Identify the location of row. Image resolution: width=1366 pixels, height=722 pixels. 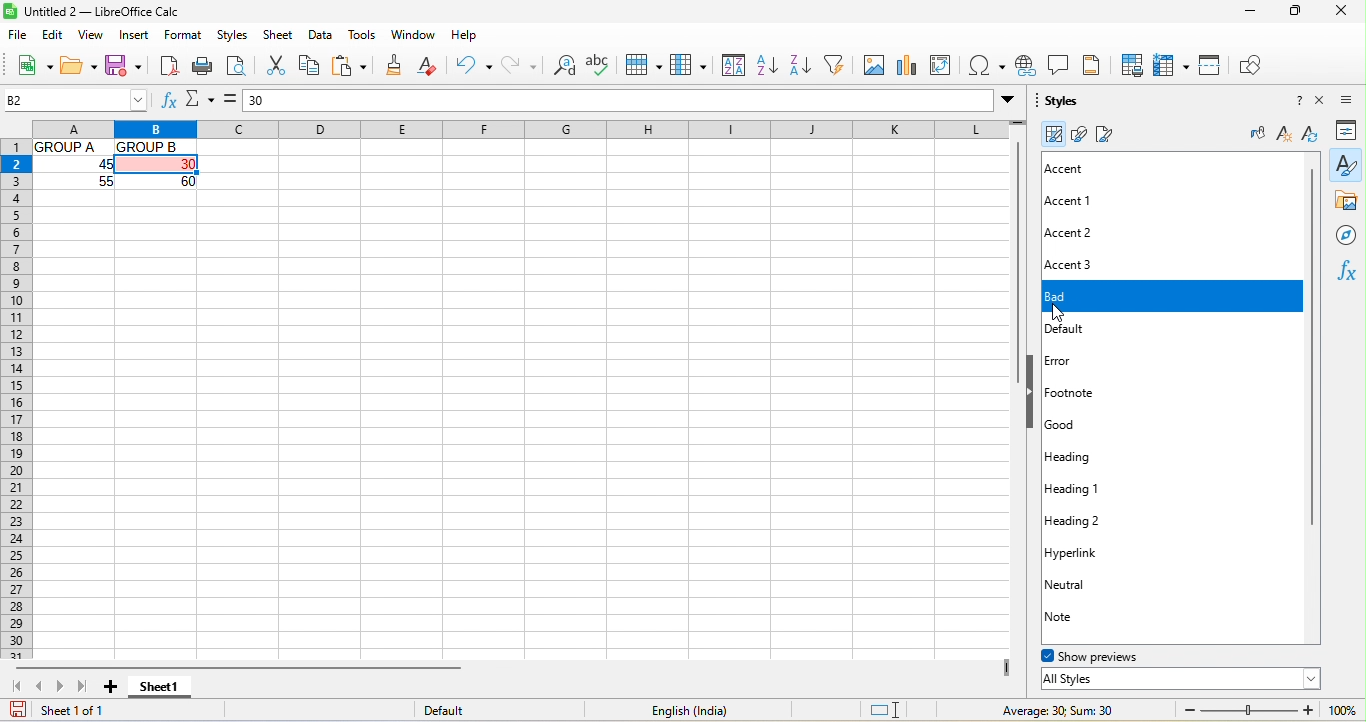
(645, 64).